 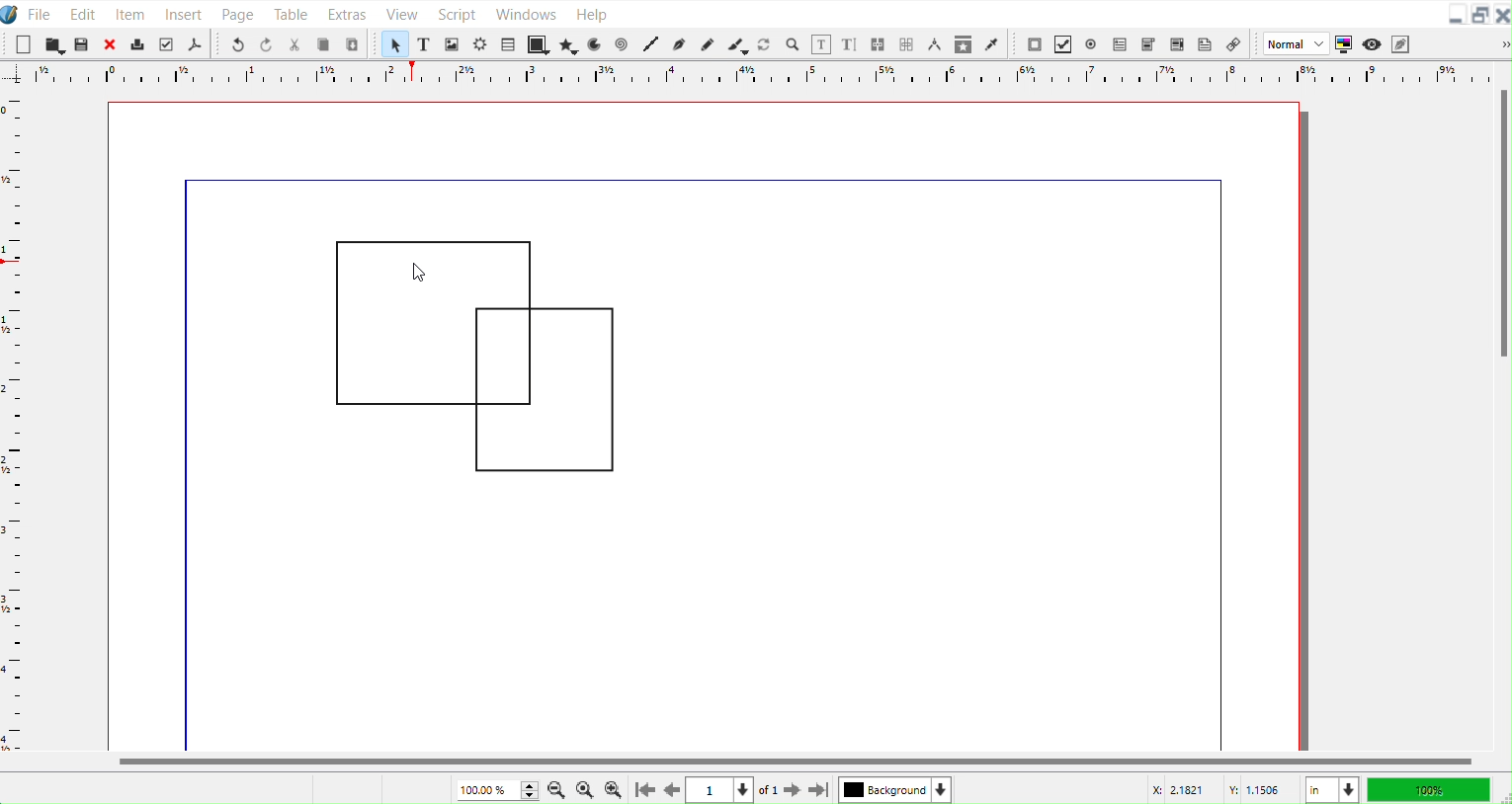 I want to click on PDF Push Button, so click(x=1034, y=44).